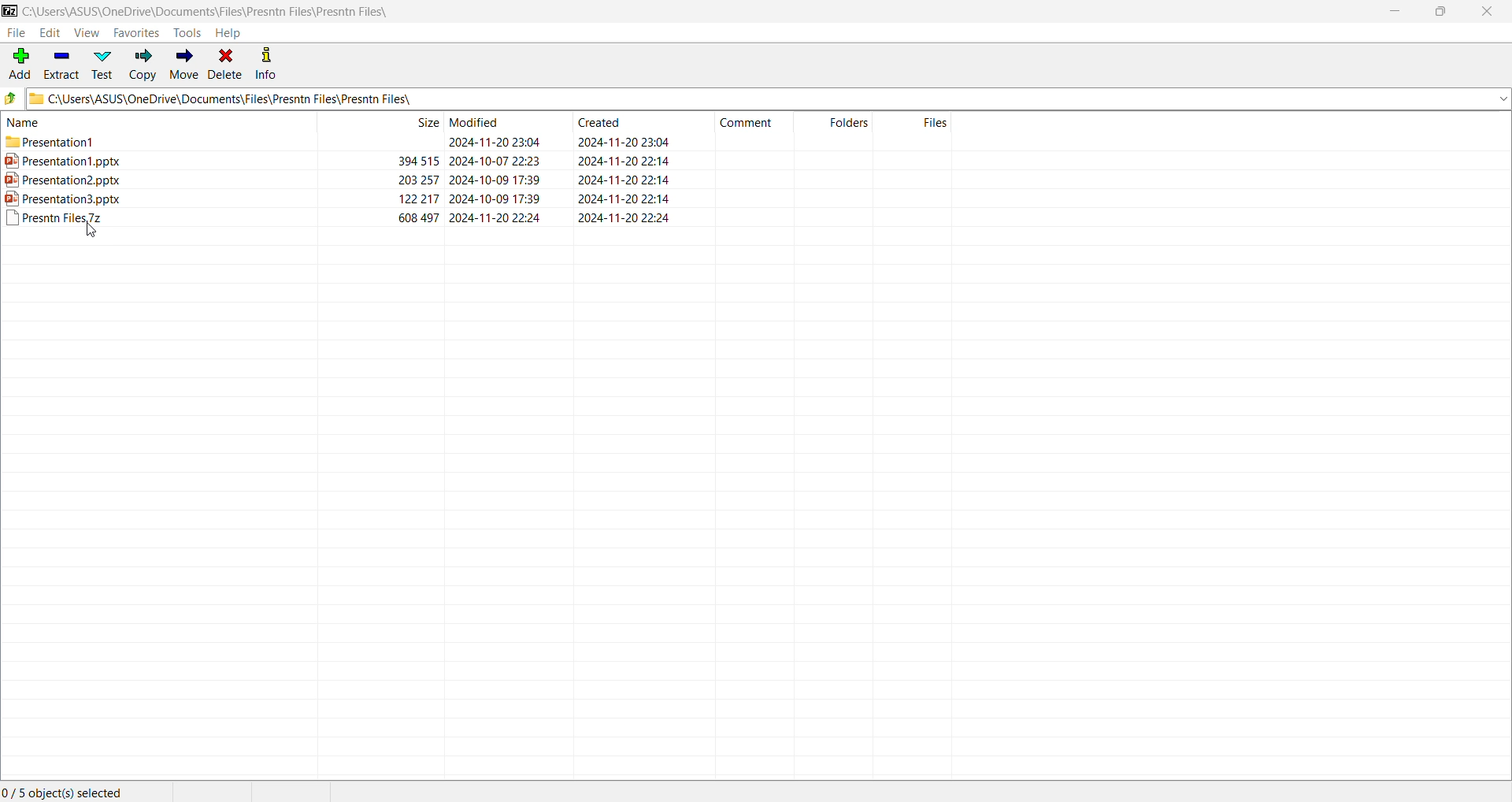 This screenshot has height=802, width=1512. I want to click on 608 497, so click(413, 217).